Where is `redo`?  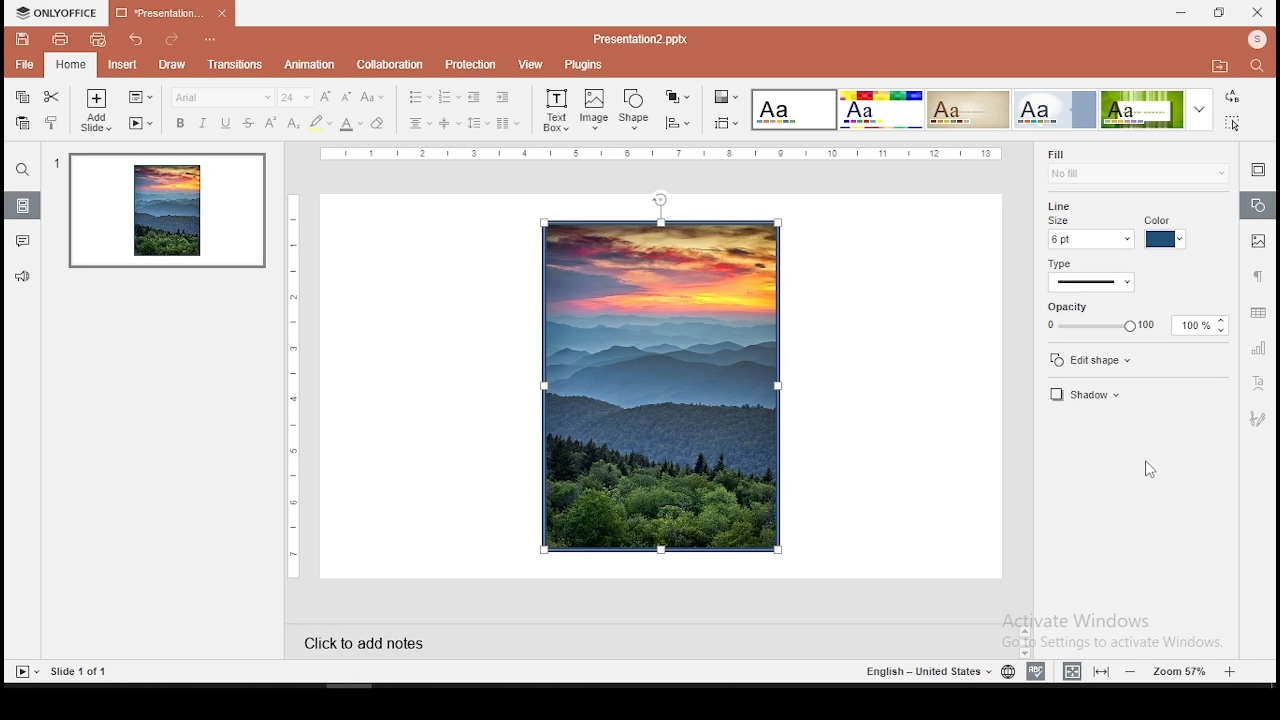
redo is located at coordinates (172, 41).